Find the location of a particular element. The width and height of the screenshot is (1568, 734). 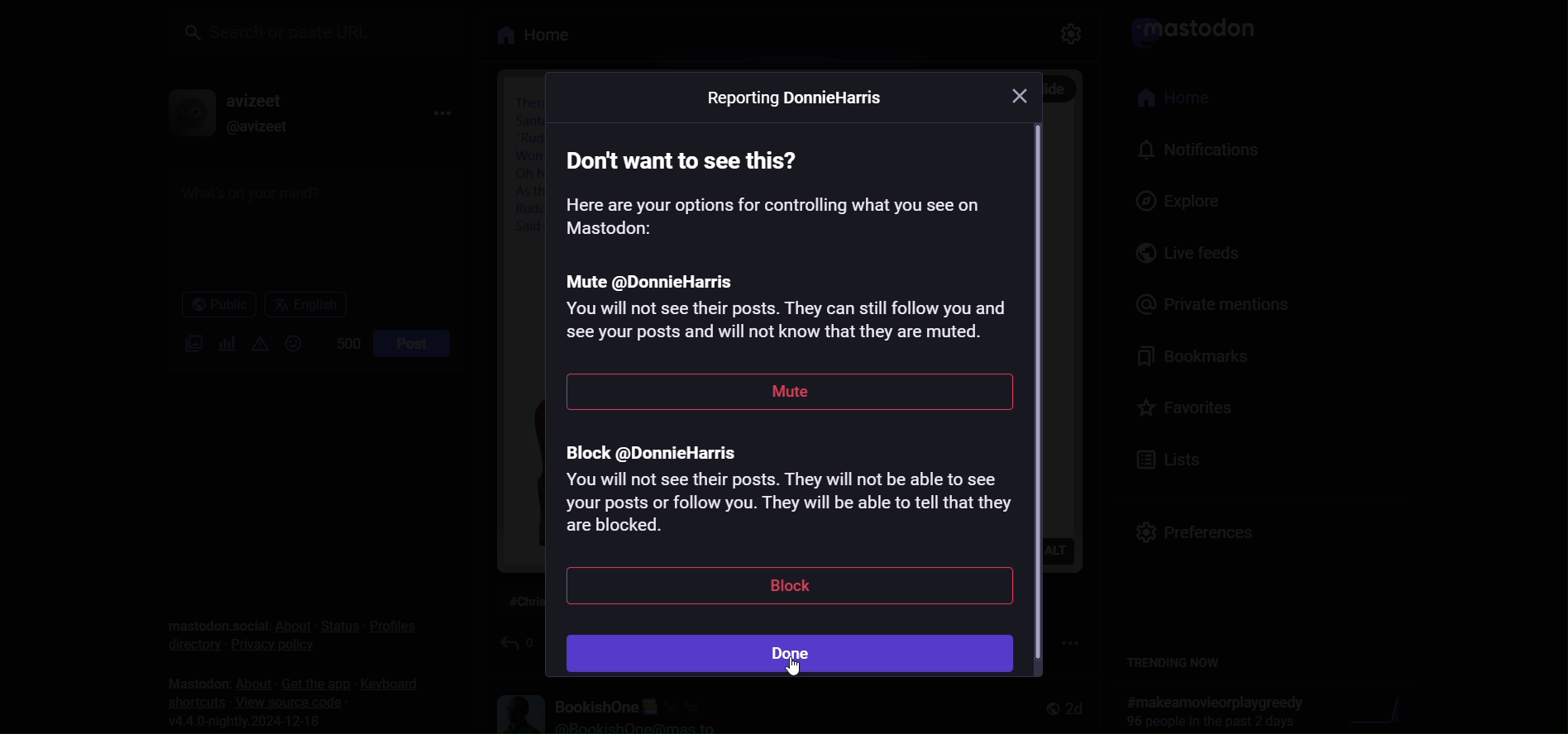

shortcut is located at coordinates (191, 702).